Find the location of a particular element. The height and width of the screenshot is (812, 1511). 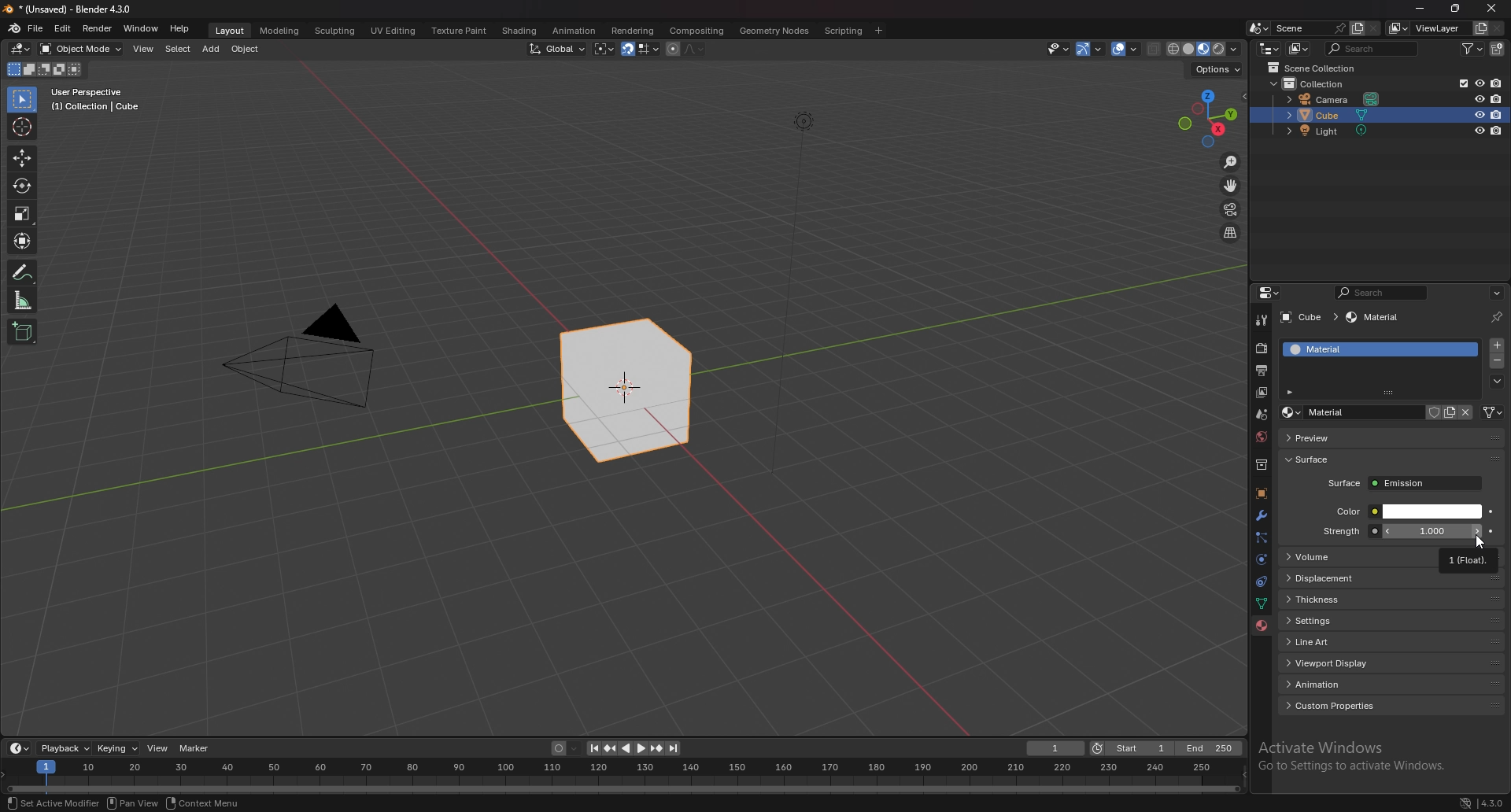

start 1 is located at coordinates (1132, 749).